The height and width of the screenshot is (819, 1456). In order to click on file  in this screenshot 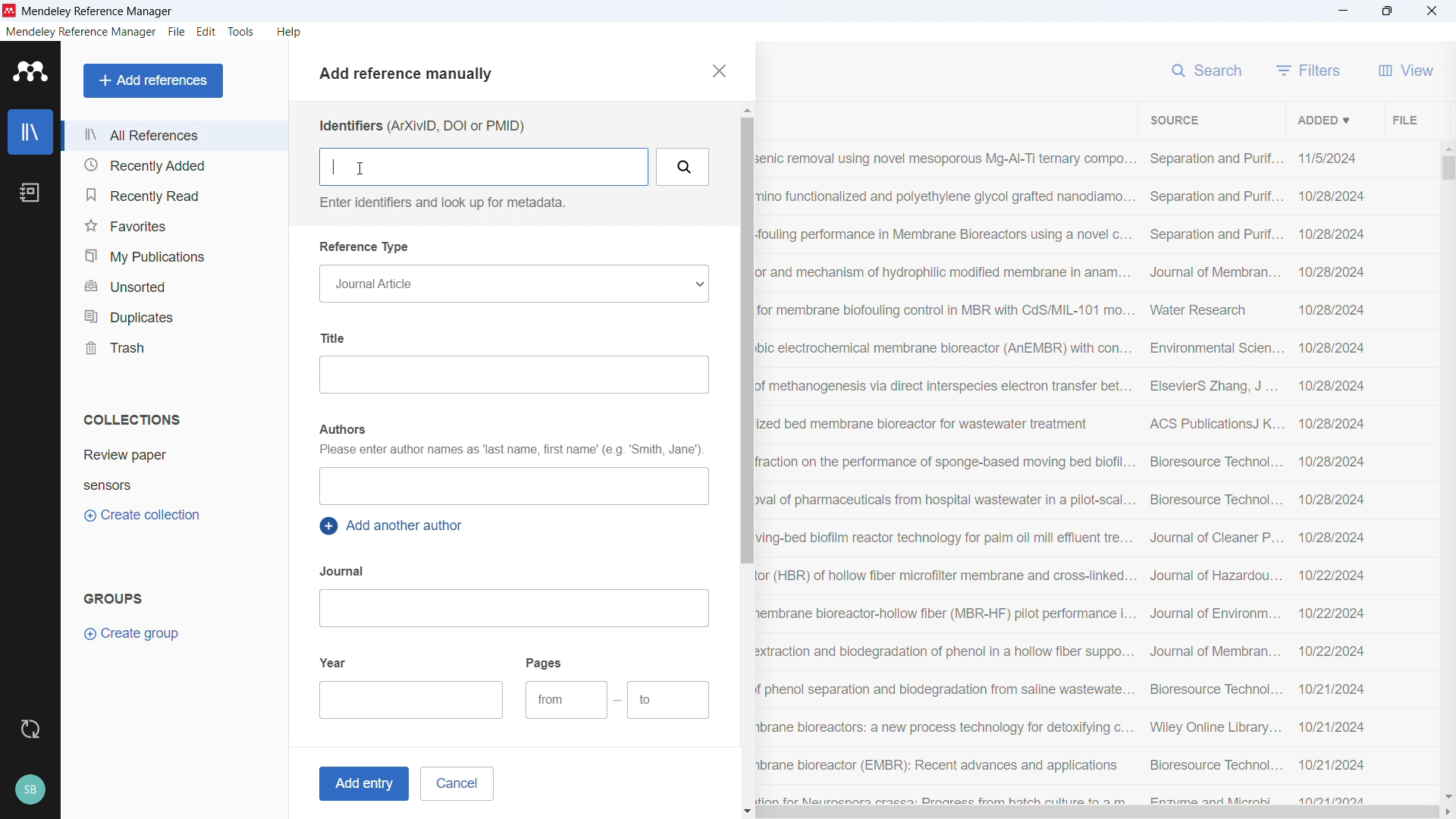, I will do `click(176, 33)`.